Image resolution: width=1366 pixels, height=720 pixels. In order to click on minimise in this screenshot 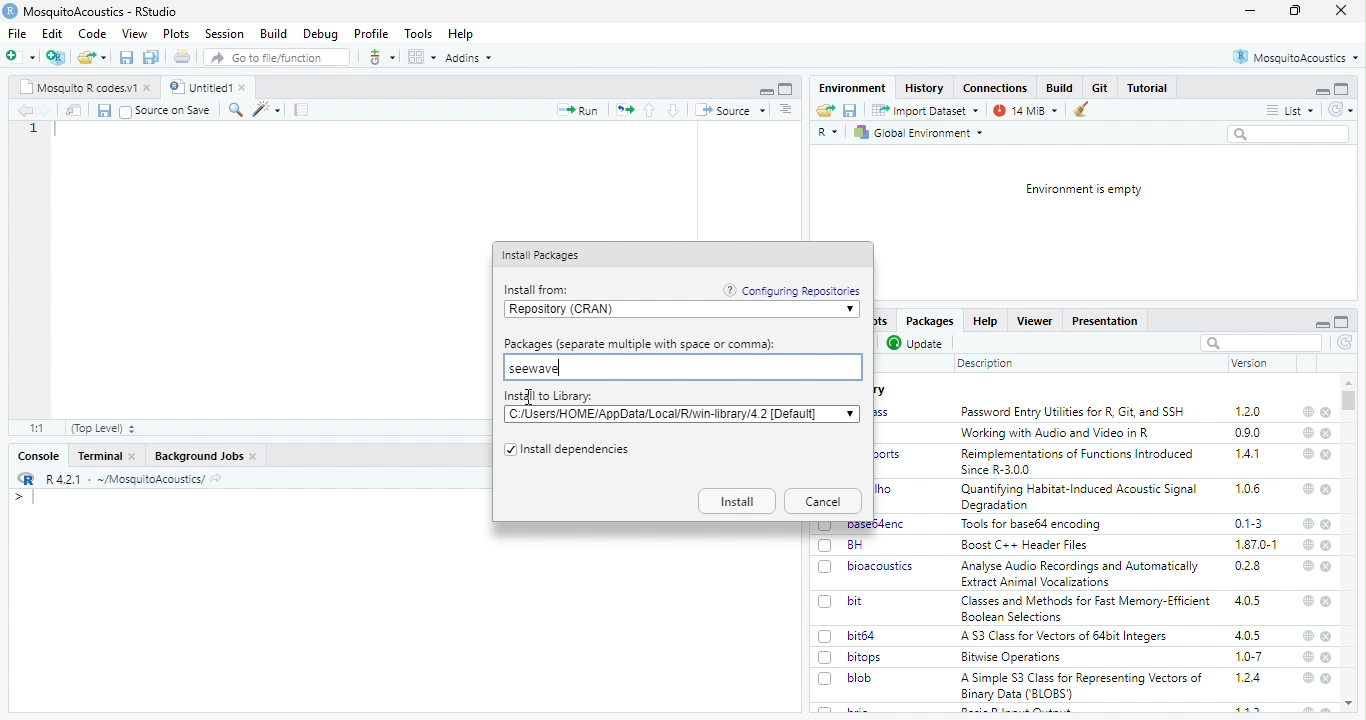, I will do `click(768, 92)`.